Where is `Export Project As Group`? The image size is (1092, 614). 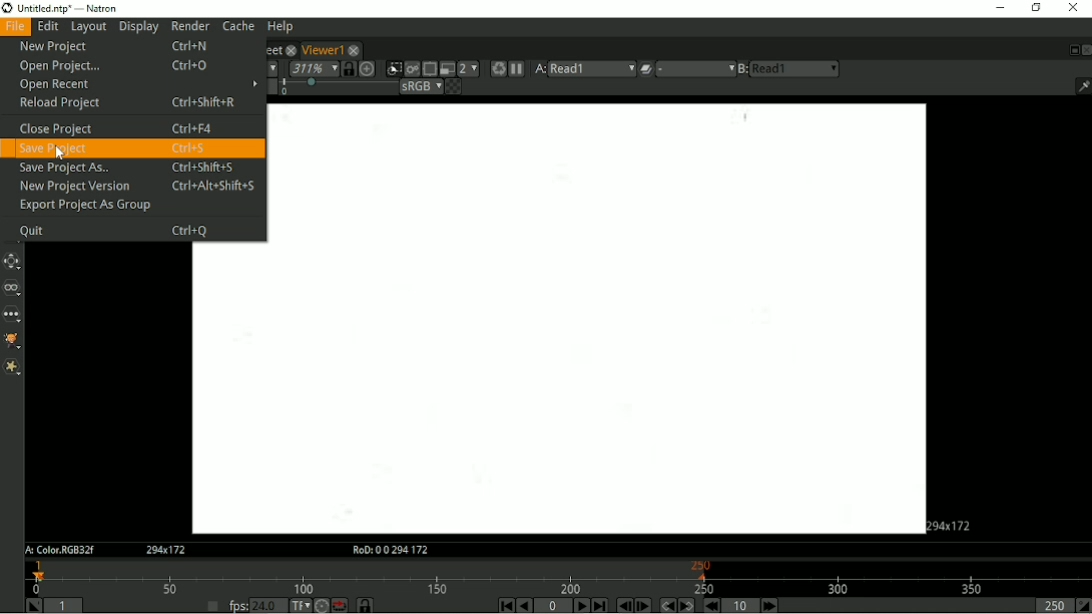
Export Project As Group is located at coordinates (83, 206).